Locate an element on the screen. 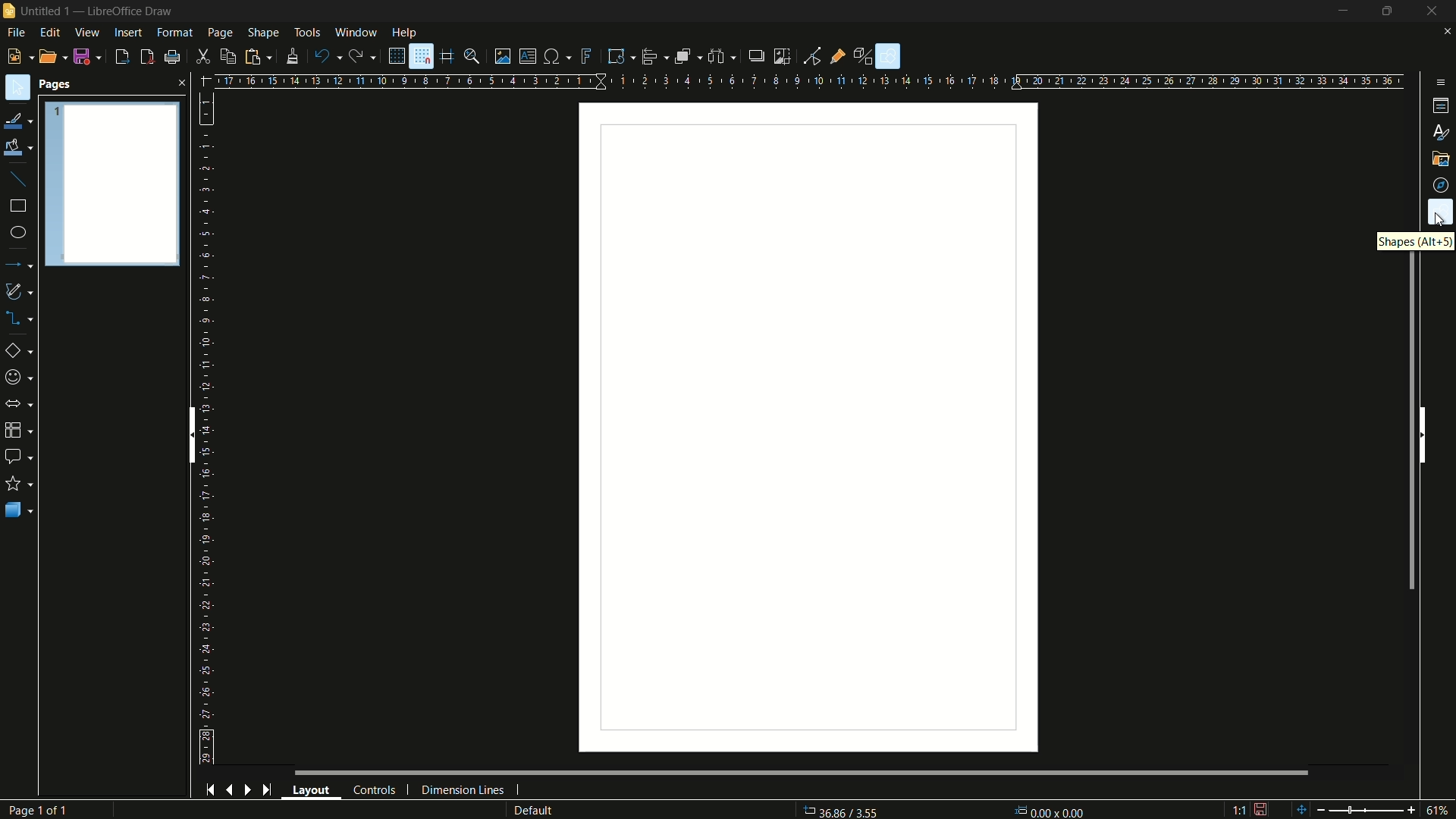 This screenshot has height=819, width=1456. width measure scale is located at coordinates (811, 83).